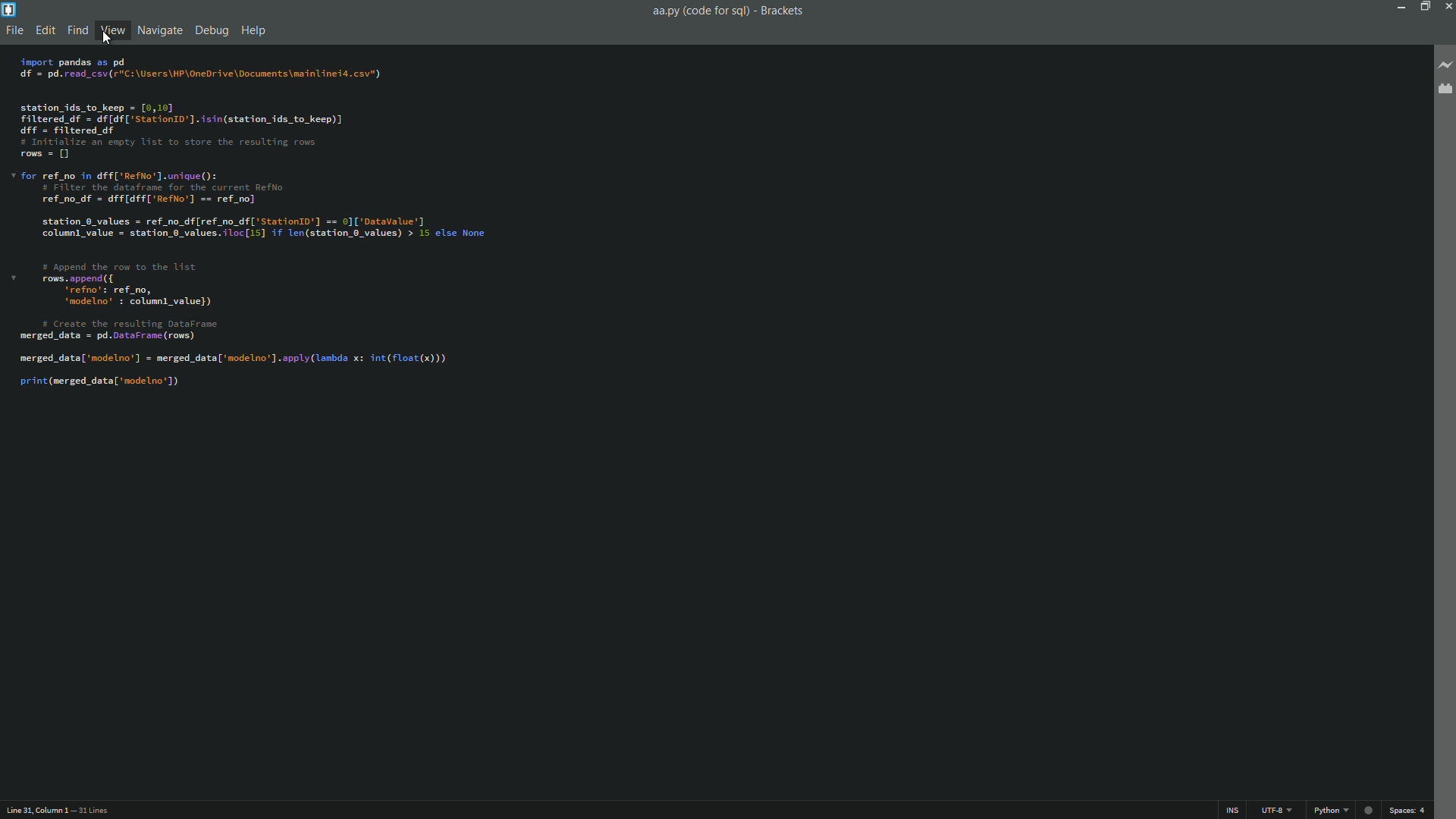 This screenshot has height=819, width=1456. I want to click on code, so click(255, 226).